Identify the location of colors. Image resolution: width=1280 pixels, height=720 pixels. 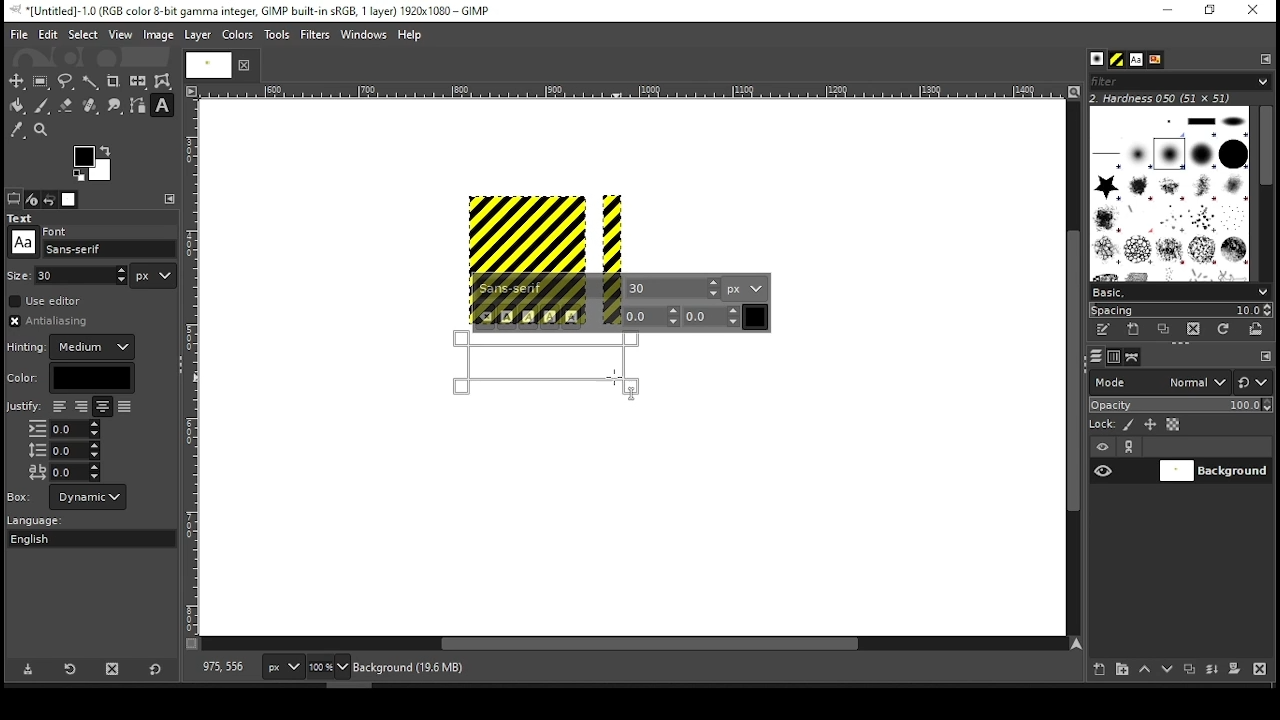
(93, 163).